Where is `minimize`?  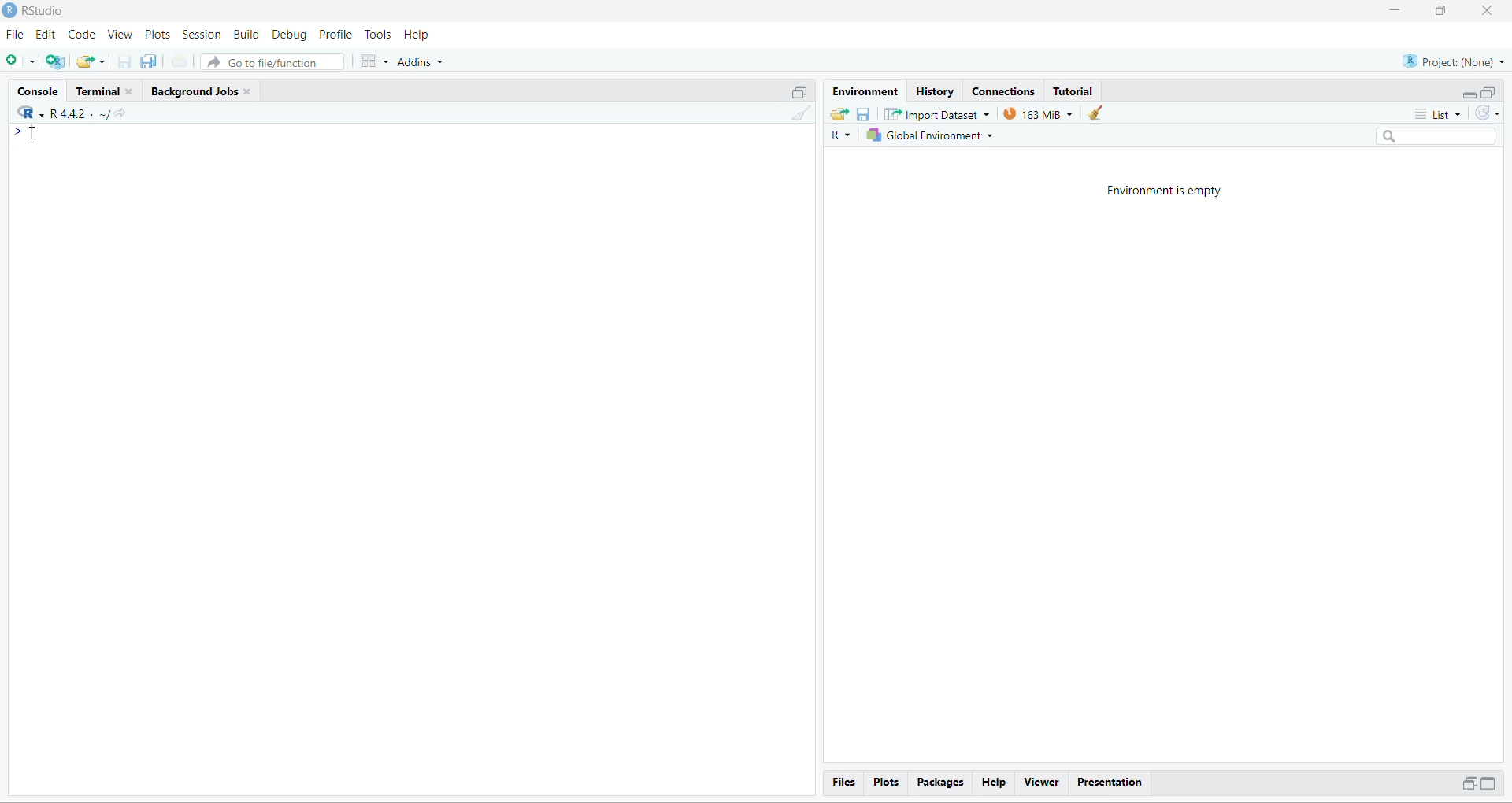
minimize is located at coordinates (1392, 10).